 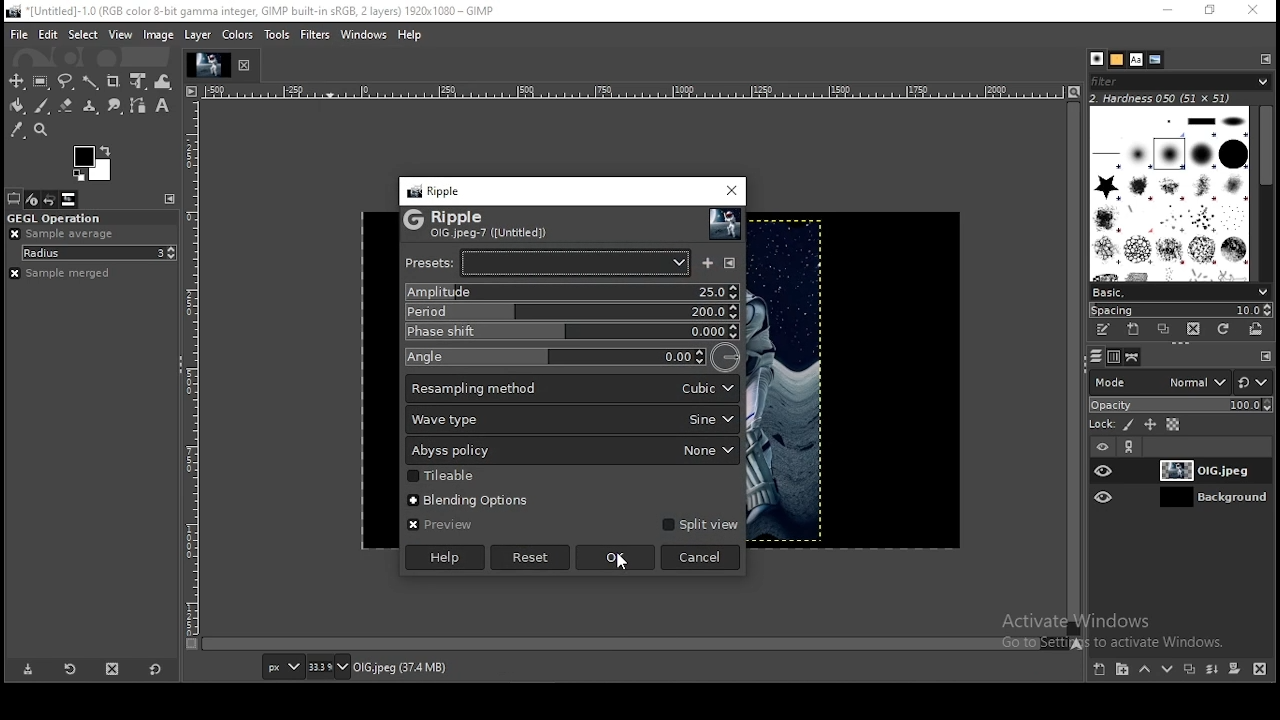 What do you see at coordinates (1100, 424) in the screenshot?
I see `lock:` at bounding box center [1100, 424].